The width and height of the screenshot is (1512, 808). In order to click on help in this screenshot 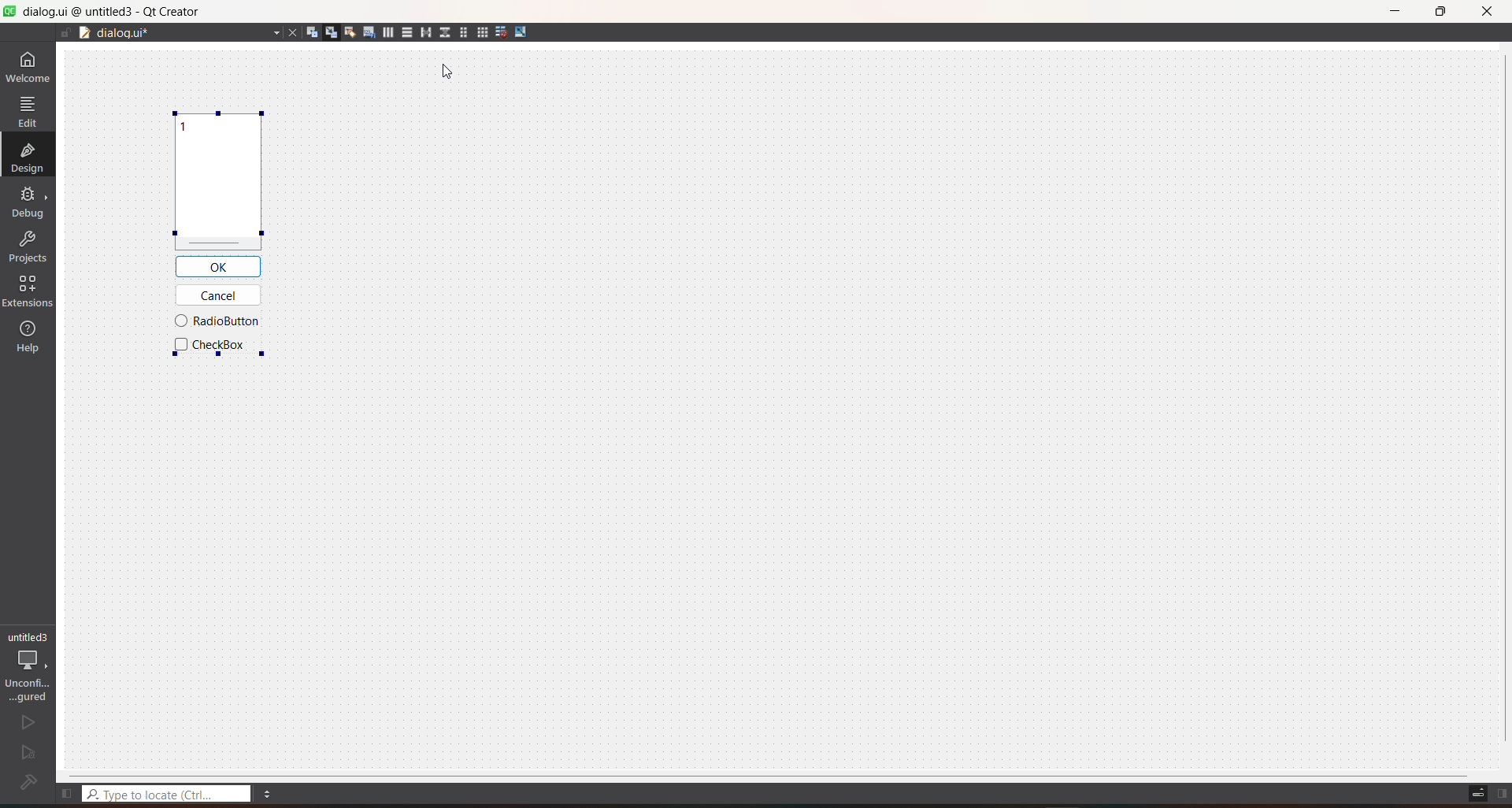, I will do `click(29, 337)`.